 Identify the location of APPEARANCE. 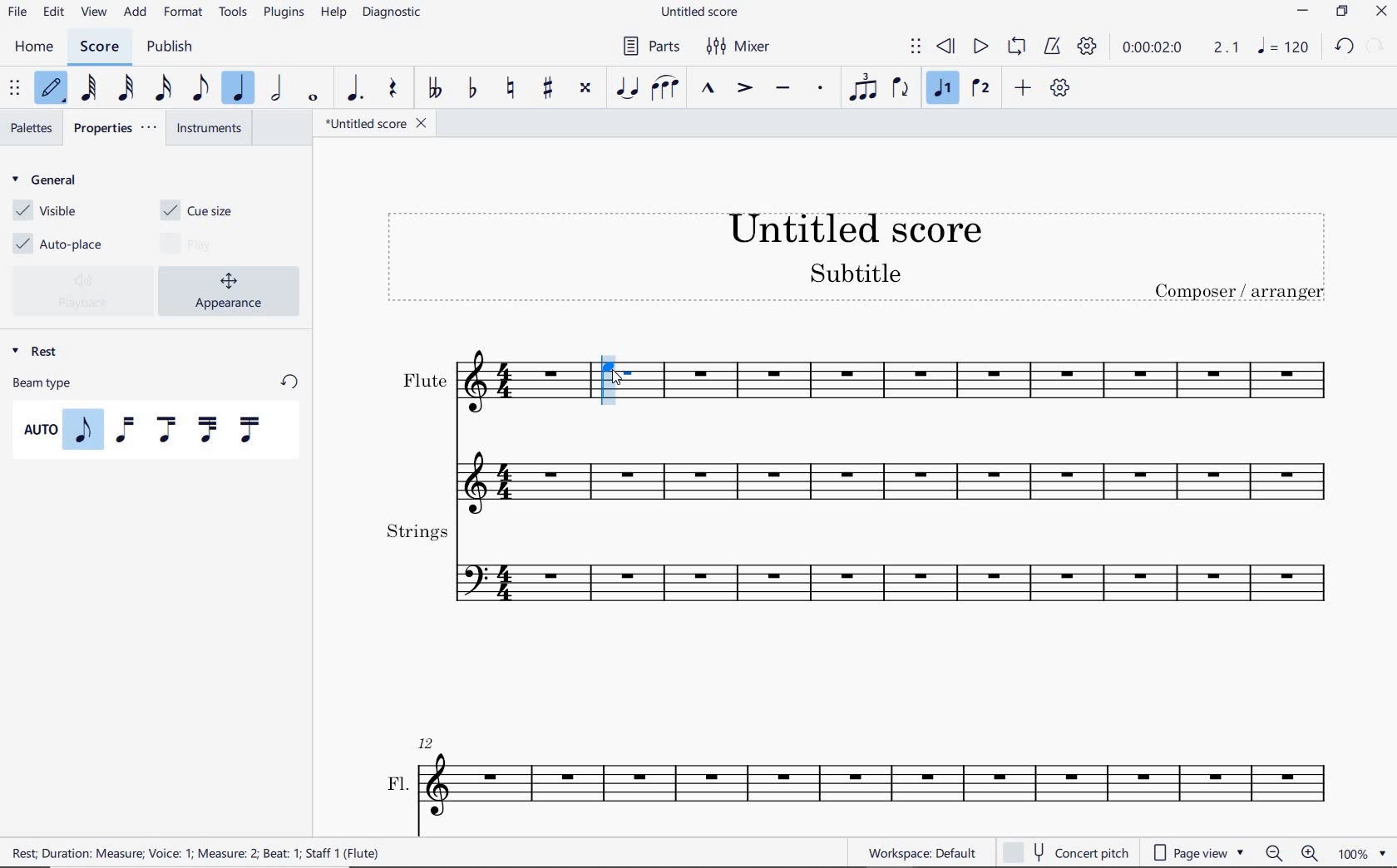
(234, 289).